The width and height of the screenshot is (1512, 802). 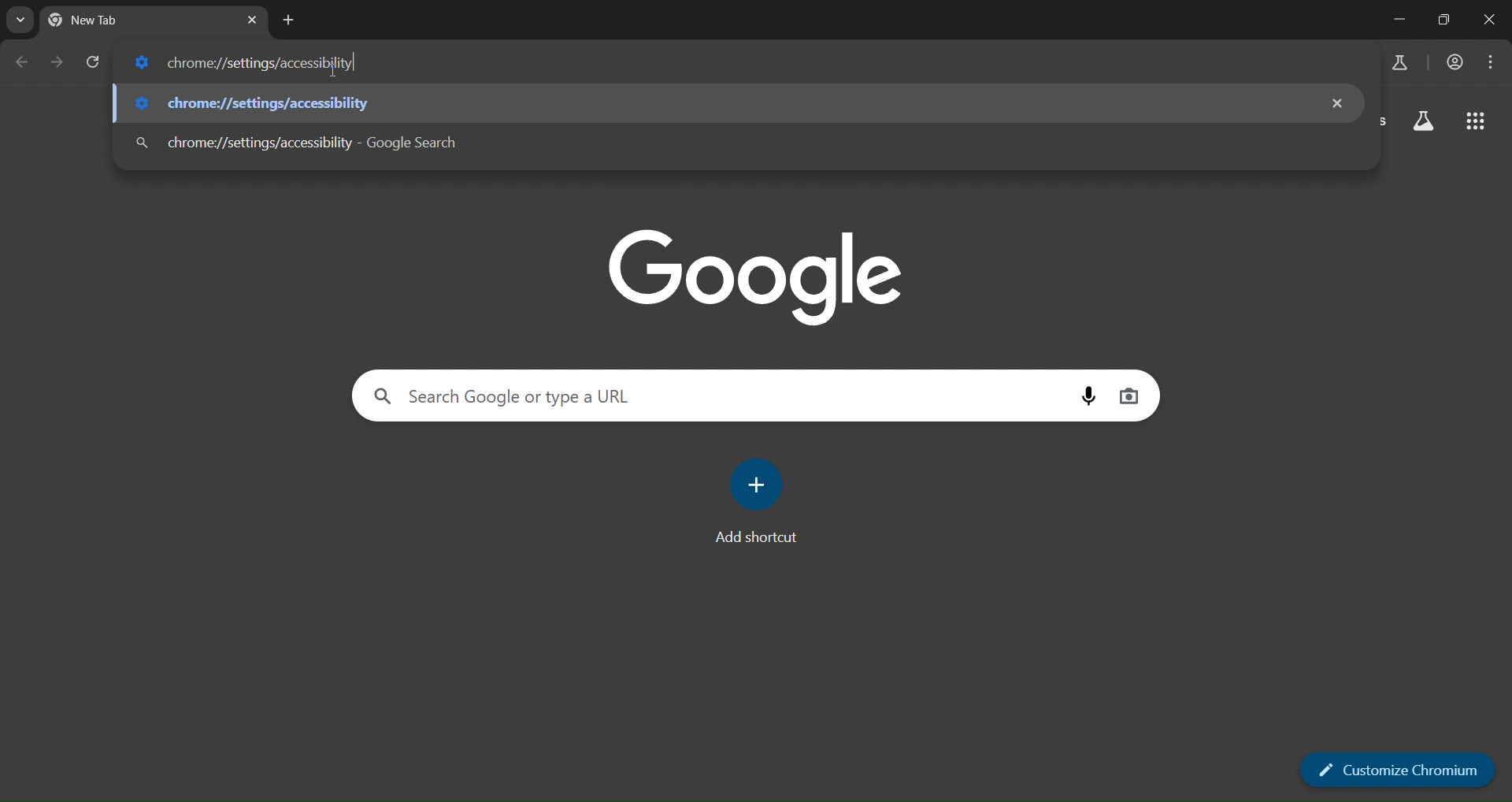 What do you see at coordinates (1495, 61) in the screenshot?
I see `menu` at bounding box center [1495, 61].